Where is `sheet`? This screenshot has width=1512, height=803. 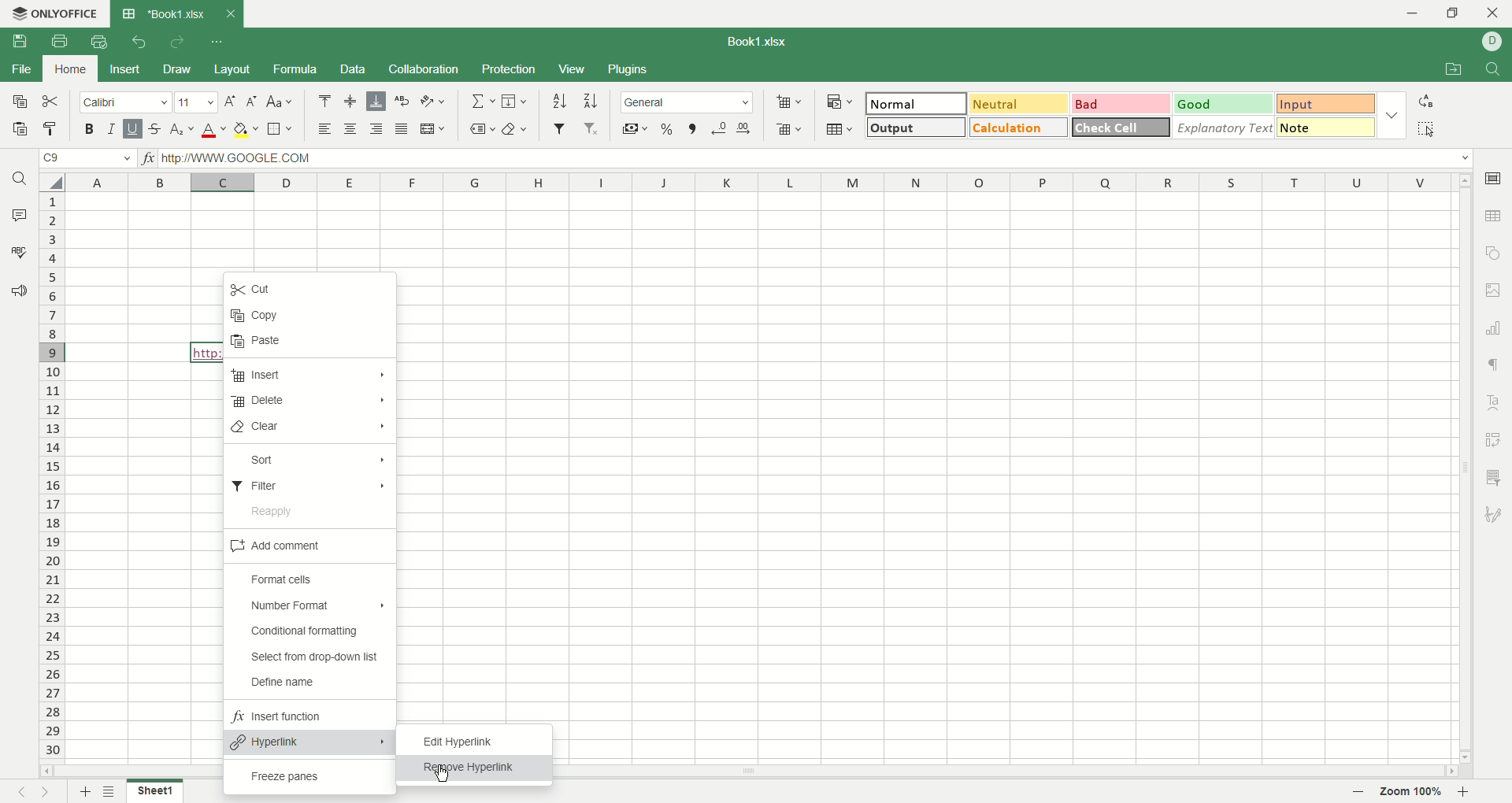
sheet is located at coordinates (154, 792).